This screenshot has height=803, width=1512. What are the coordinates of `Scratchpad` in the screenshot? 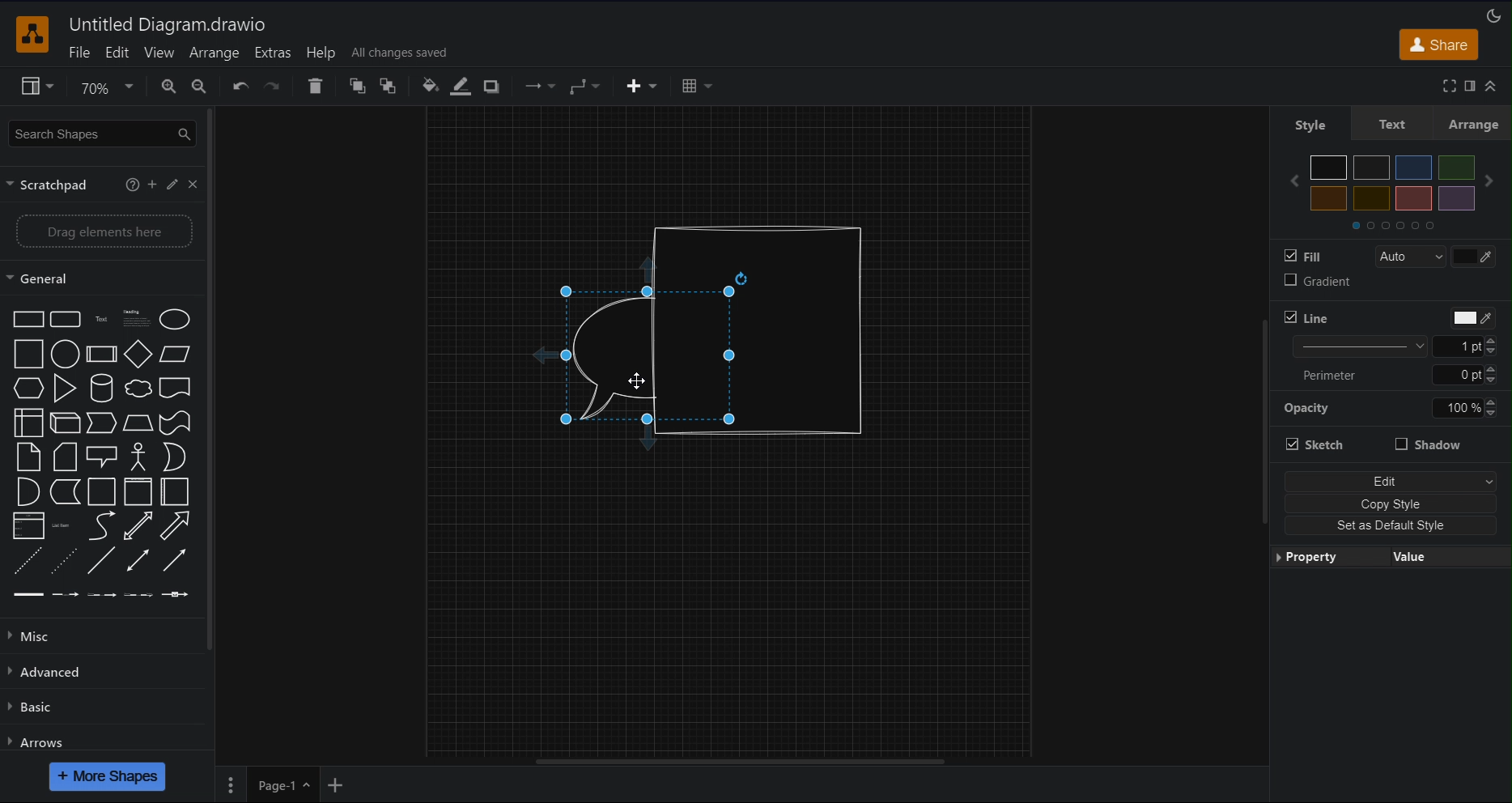 It's located at (62, 185).